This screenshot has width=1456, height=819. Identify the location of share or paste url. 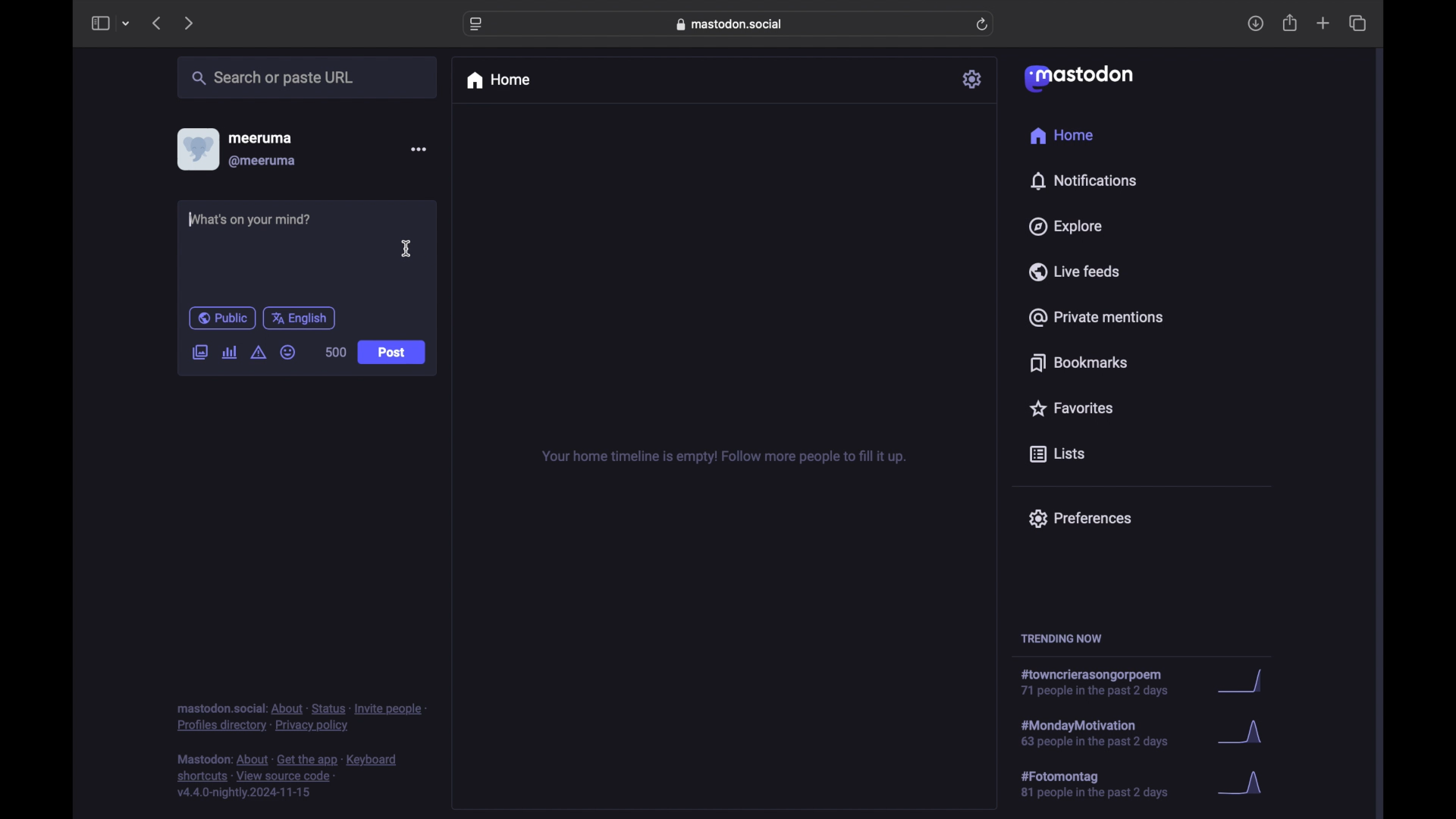
(273, 77).